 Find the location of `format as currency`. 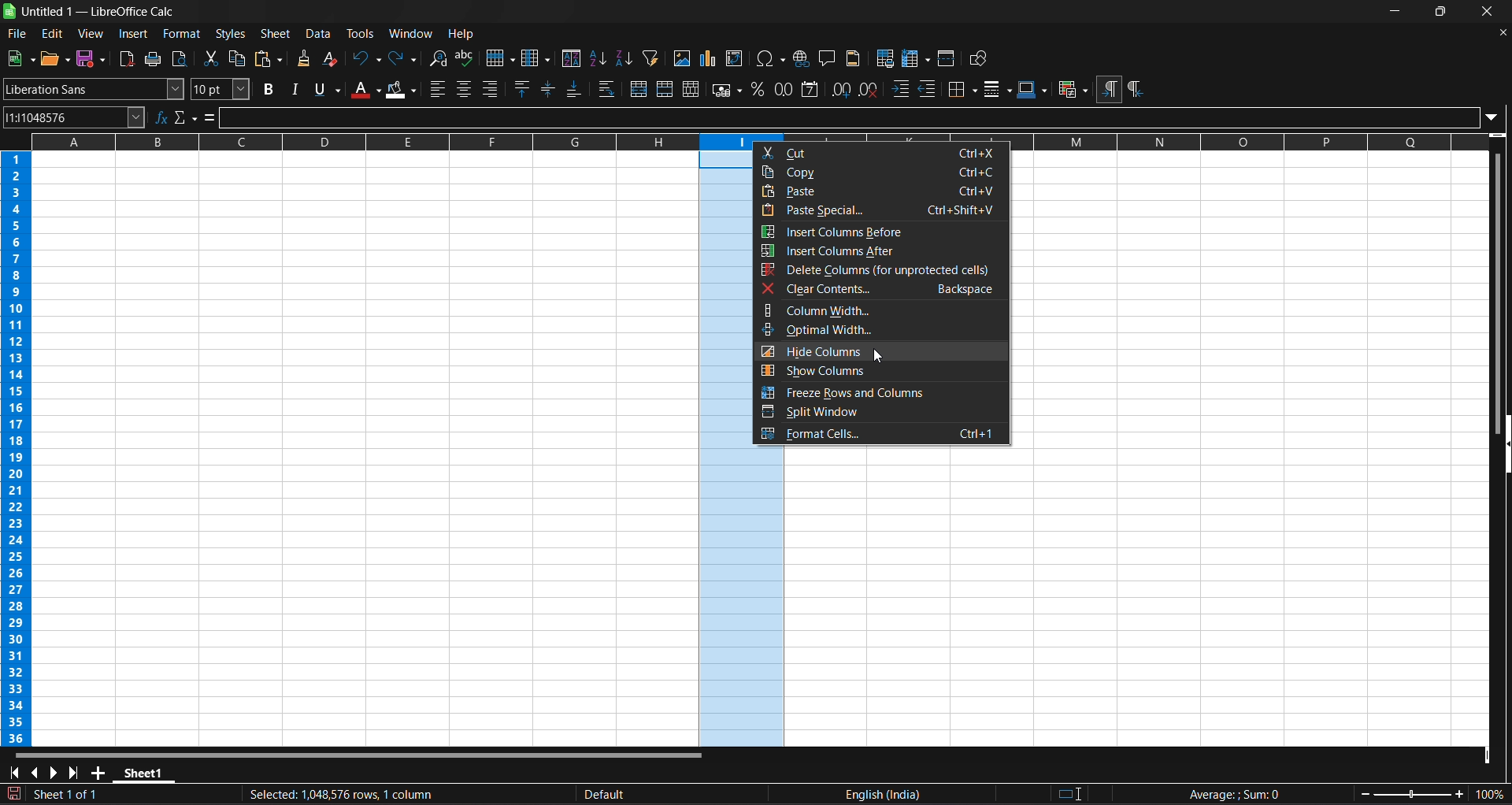

format as currency is located at coordinates (728, 91).